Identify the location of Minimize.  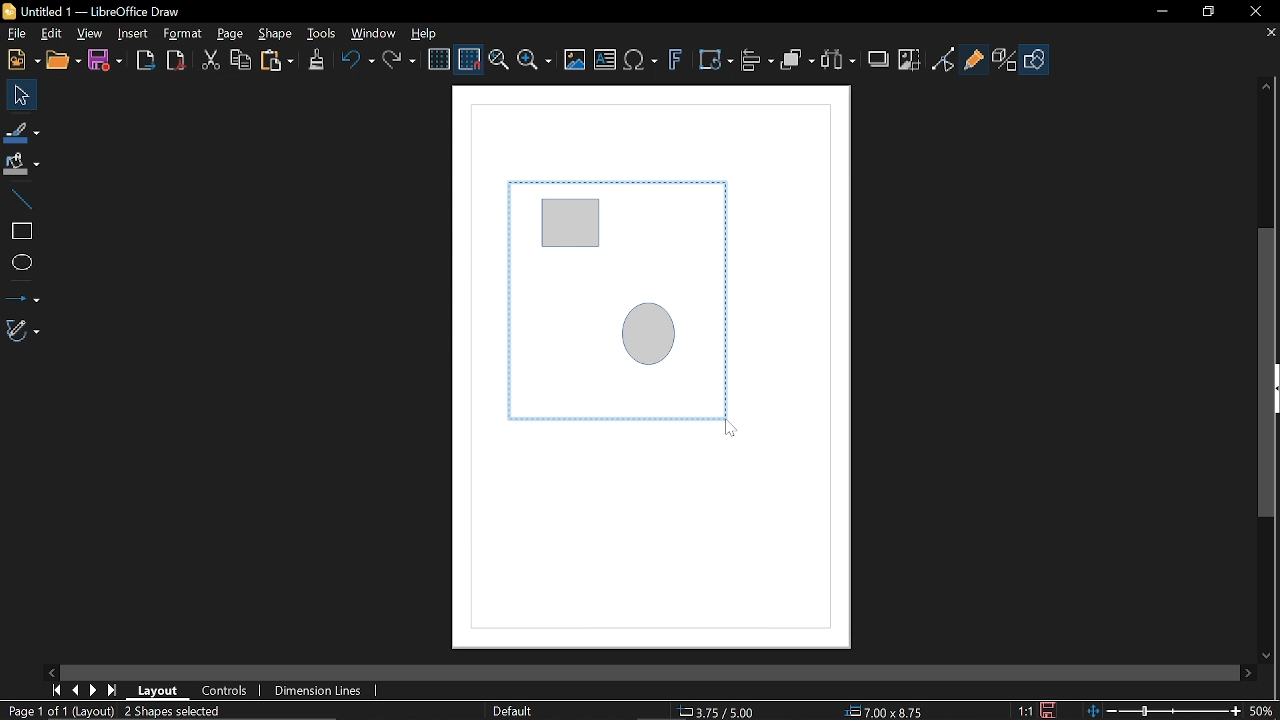
(1162, 11).